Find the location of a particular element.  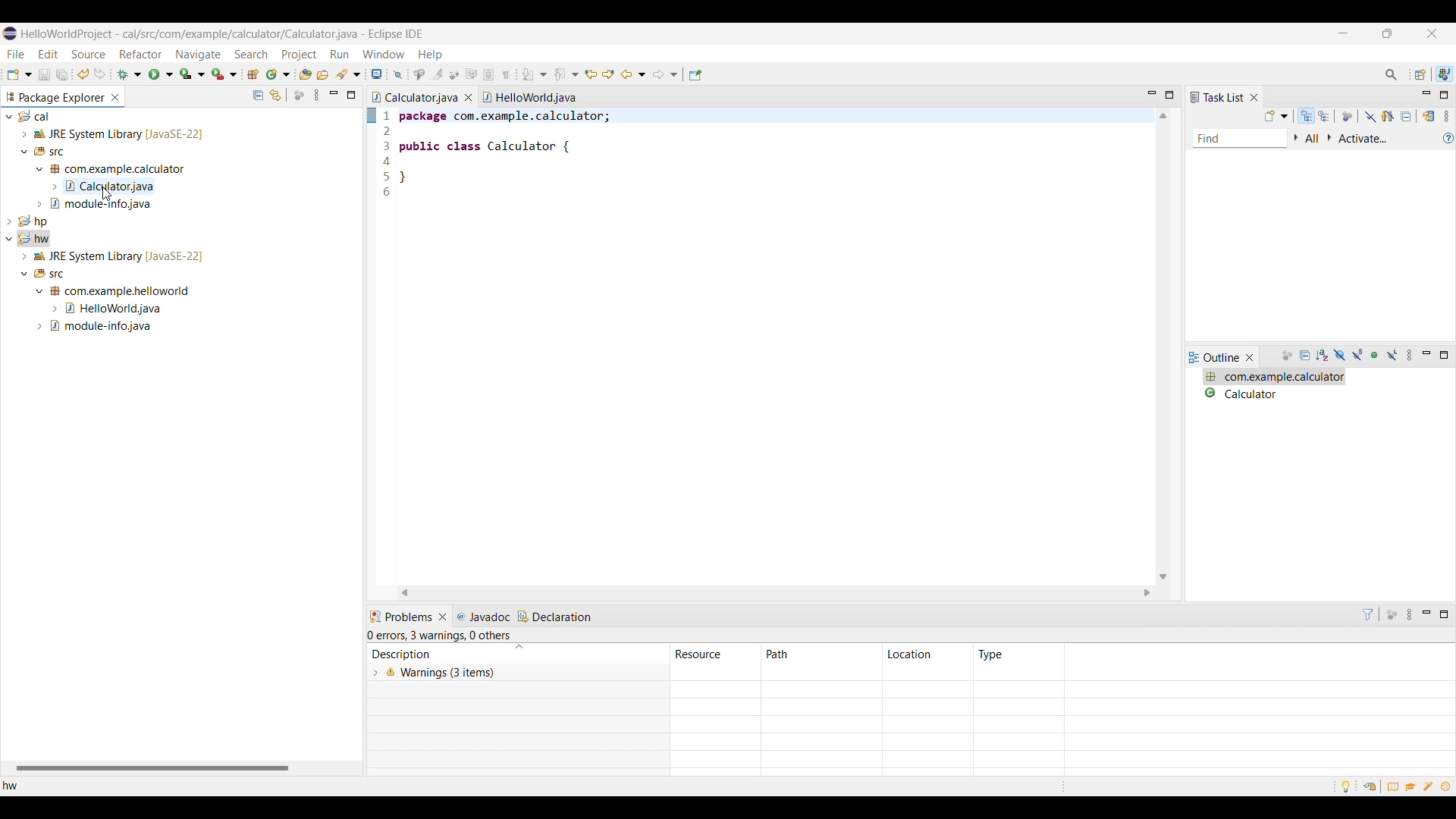

Restore welcome is located at coordinates (1368, 785).